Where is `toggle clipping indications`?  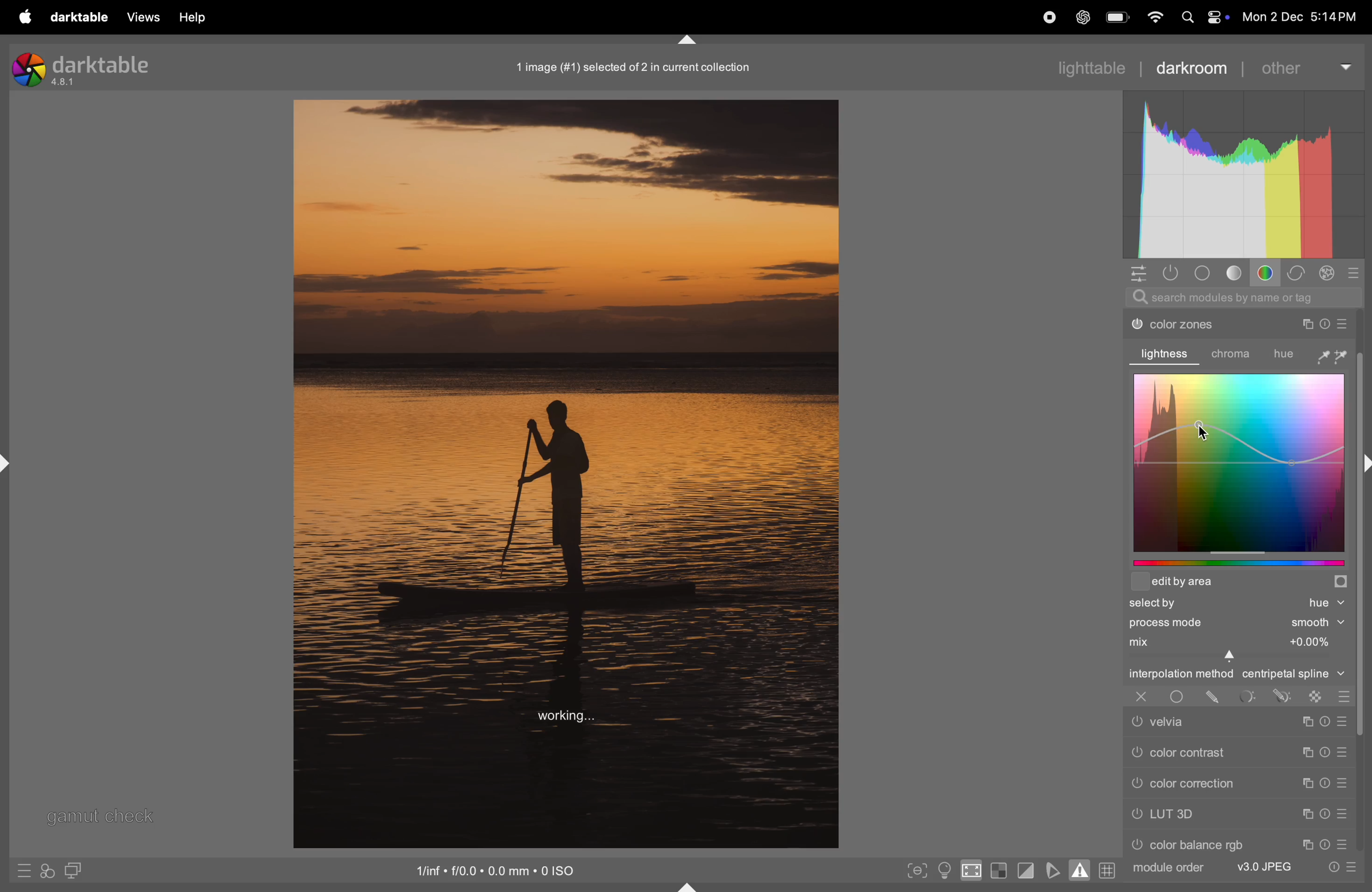 toggle clipping indications is located at coordinates (1028, 871).